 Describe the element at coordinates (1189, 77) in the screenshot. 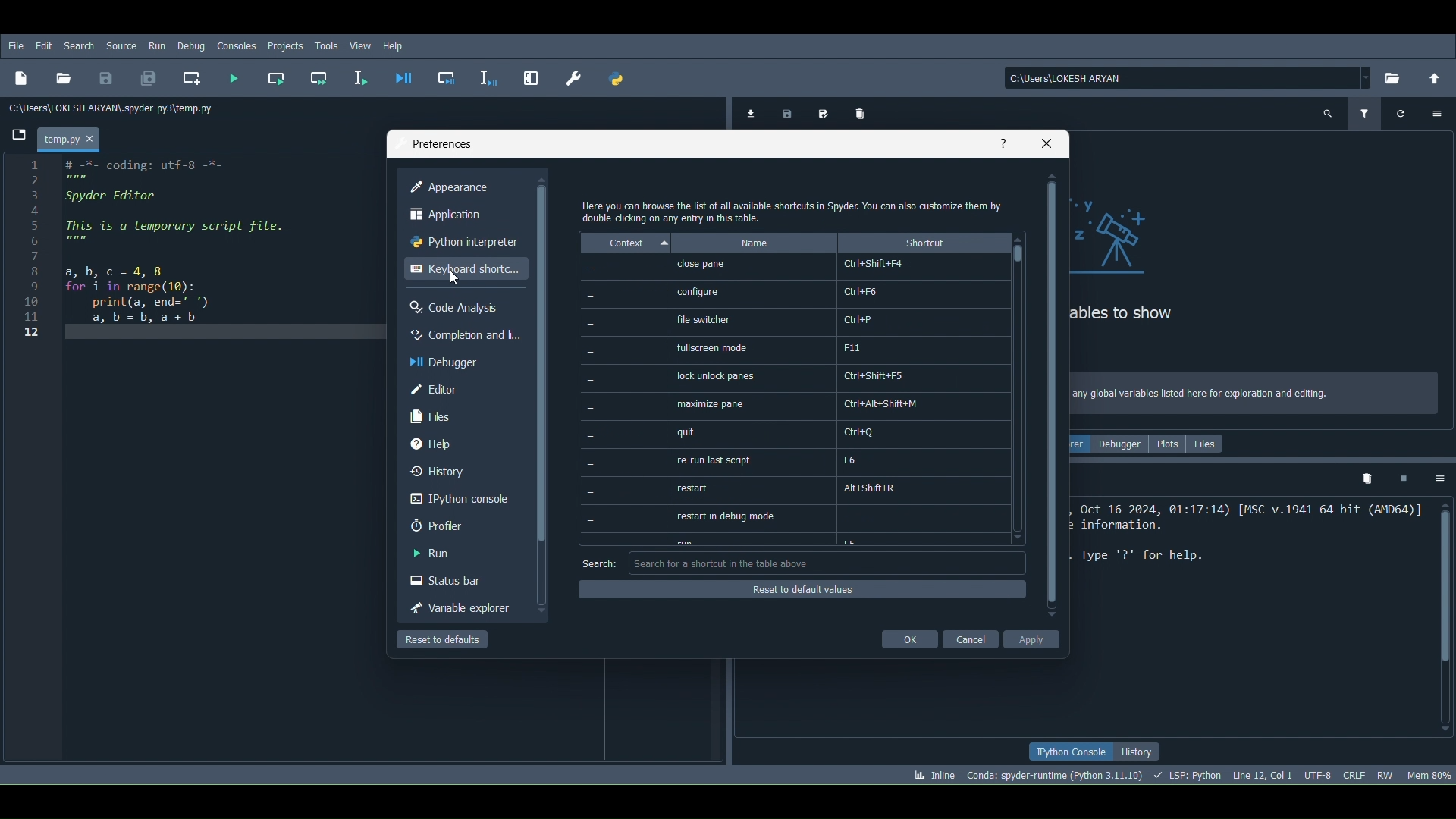

I see `File location` at that location.